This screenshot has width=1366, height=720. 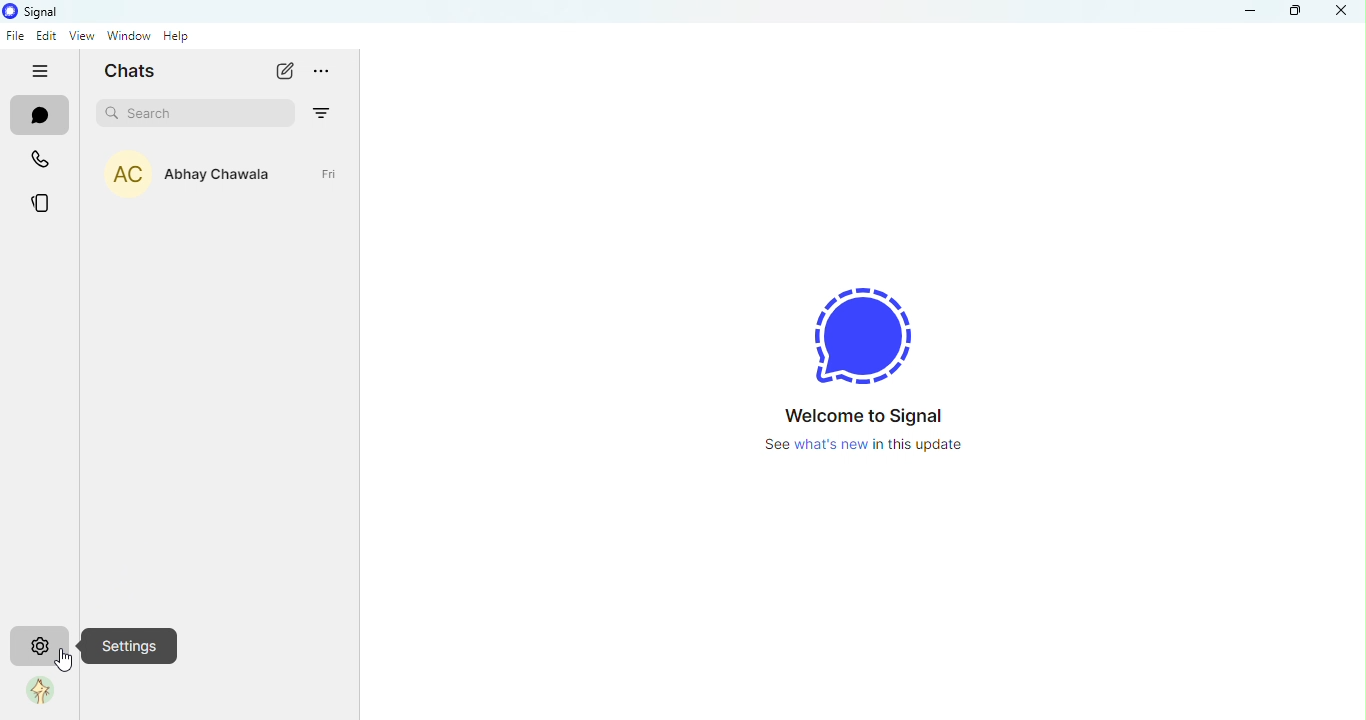 I want to click on chats, so click(x=138, y=74).